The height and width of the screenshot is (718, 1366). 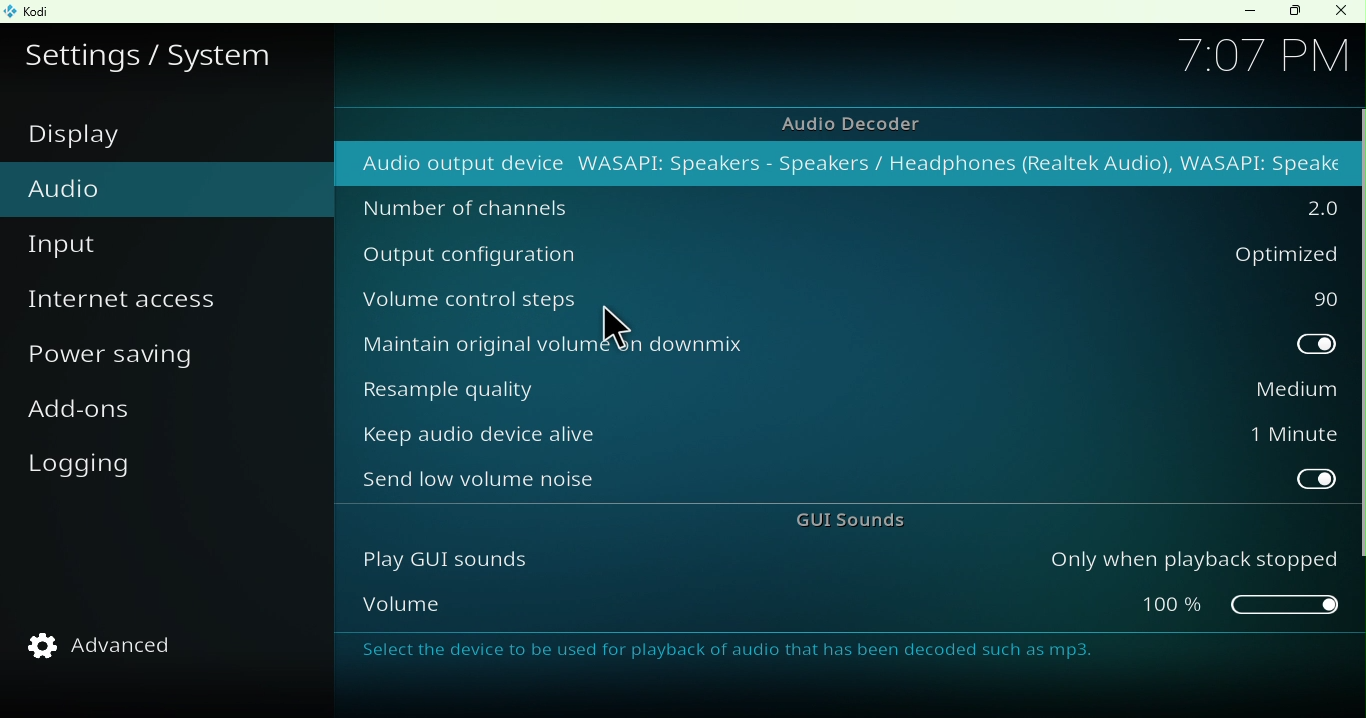 What do you see at coordinates (1221, 346) in the screenshot?
I see `toggle` at bounding box center [1221, 346].